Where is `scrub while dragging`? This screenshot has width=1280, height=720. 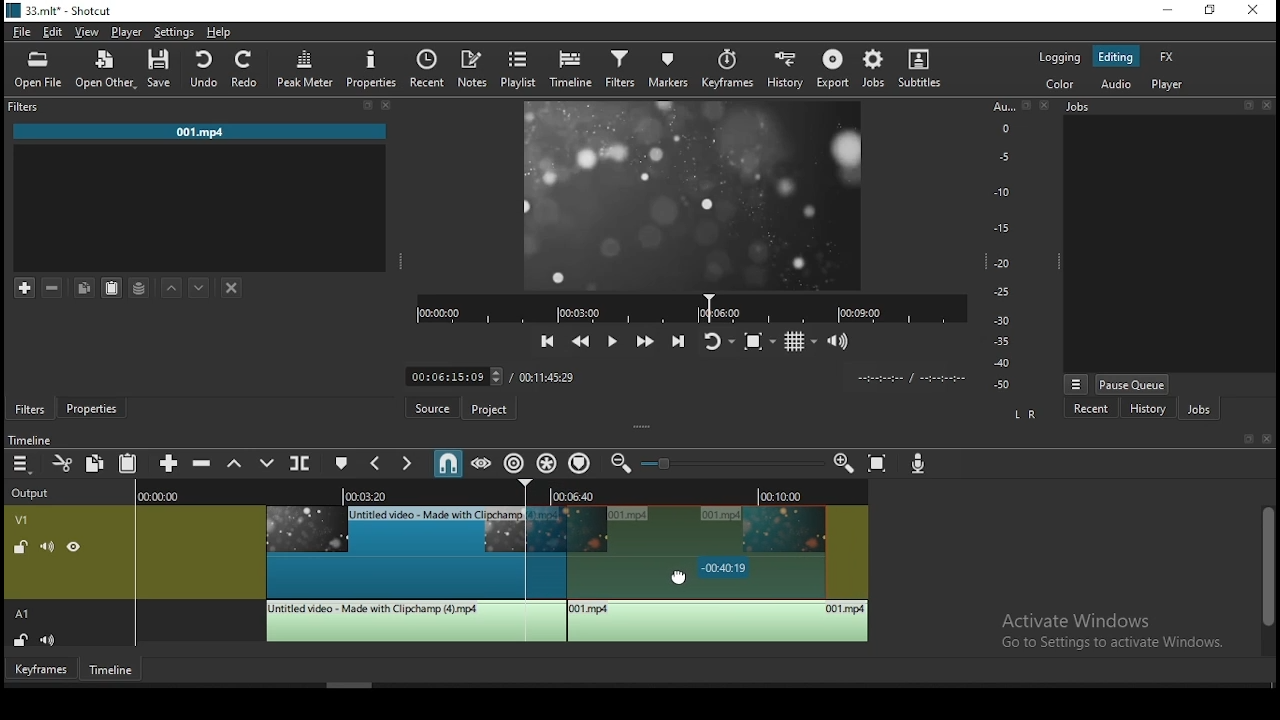 scrub while dragging is located at coordinates (480, 463).